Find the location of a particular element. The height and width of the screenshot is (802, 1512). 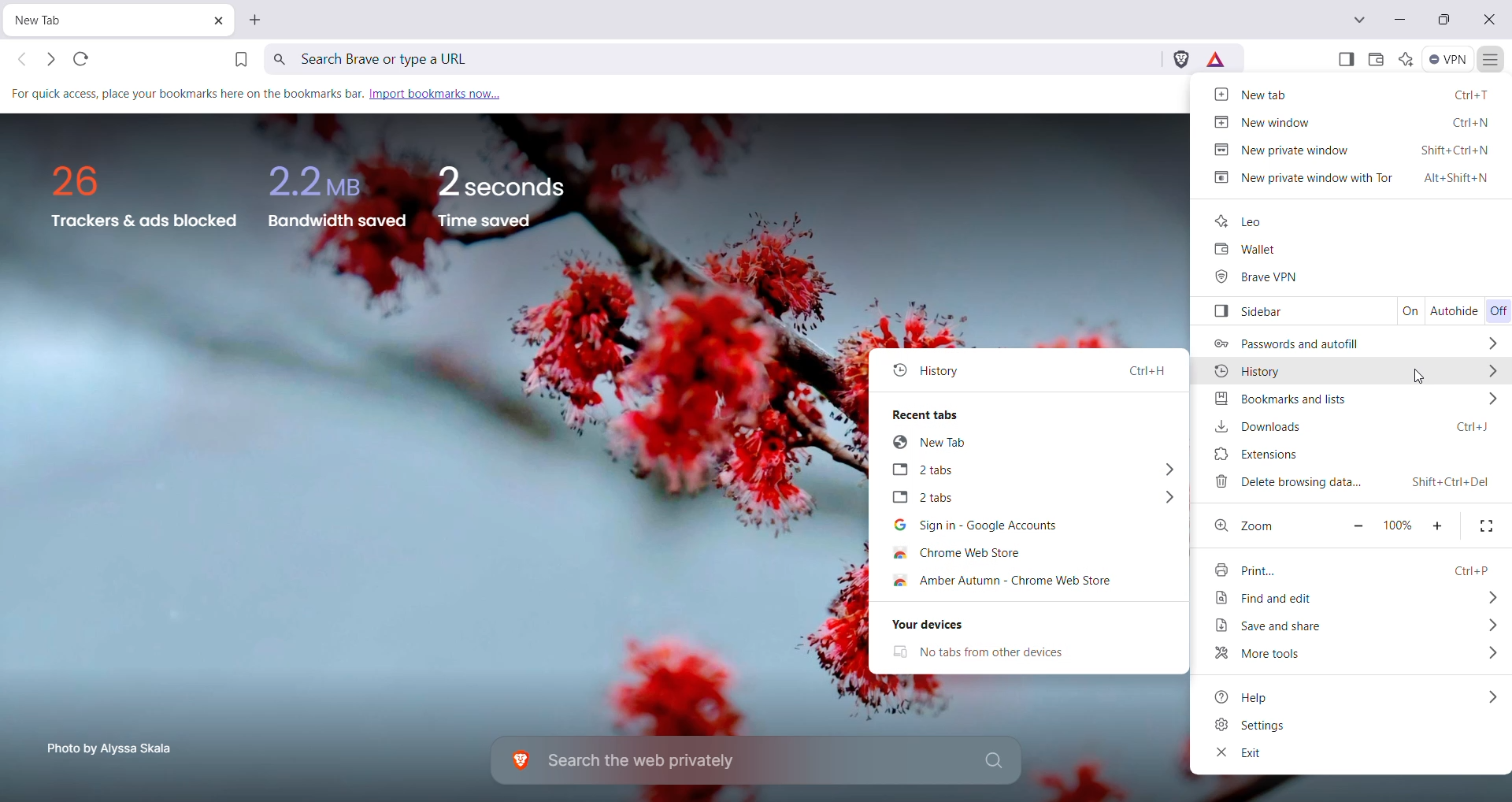

New Tab is located at coordinates (1353, 95).